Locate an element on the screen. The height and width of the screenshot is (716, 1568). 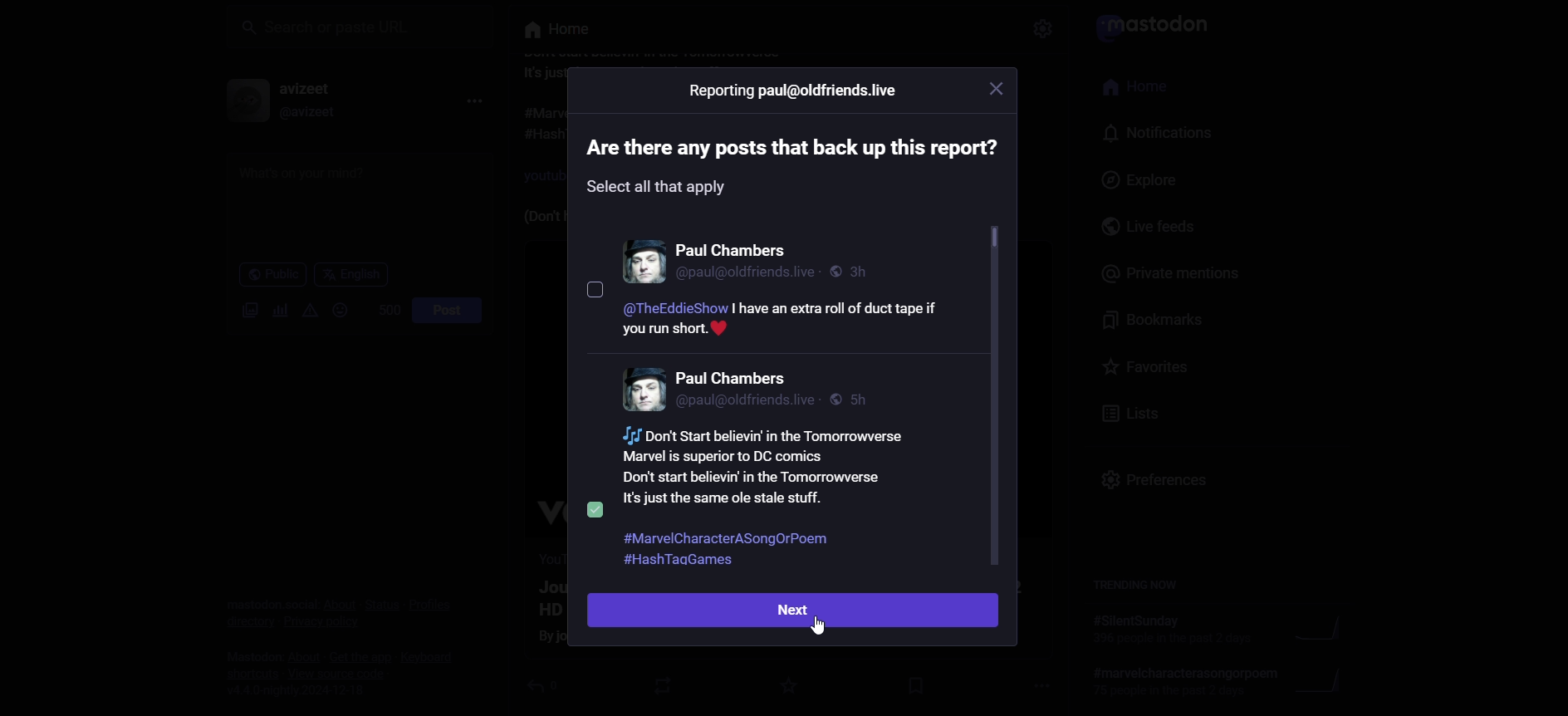
 is located at coordinates (856, 400).